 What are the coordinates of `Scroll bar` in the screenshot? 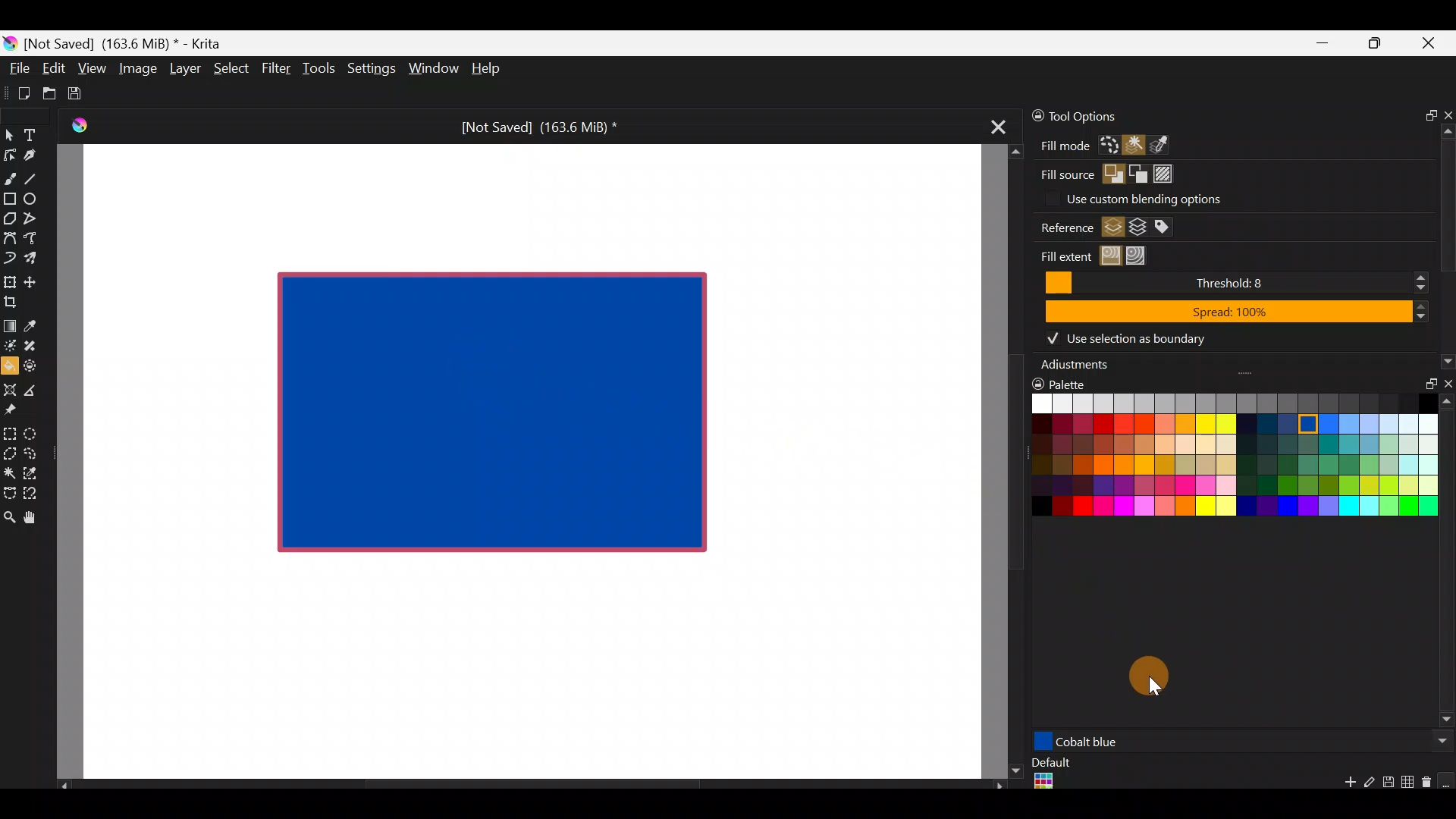 It's located at (1447, 563).